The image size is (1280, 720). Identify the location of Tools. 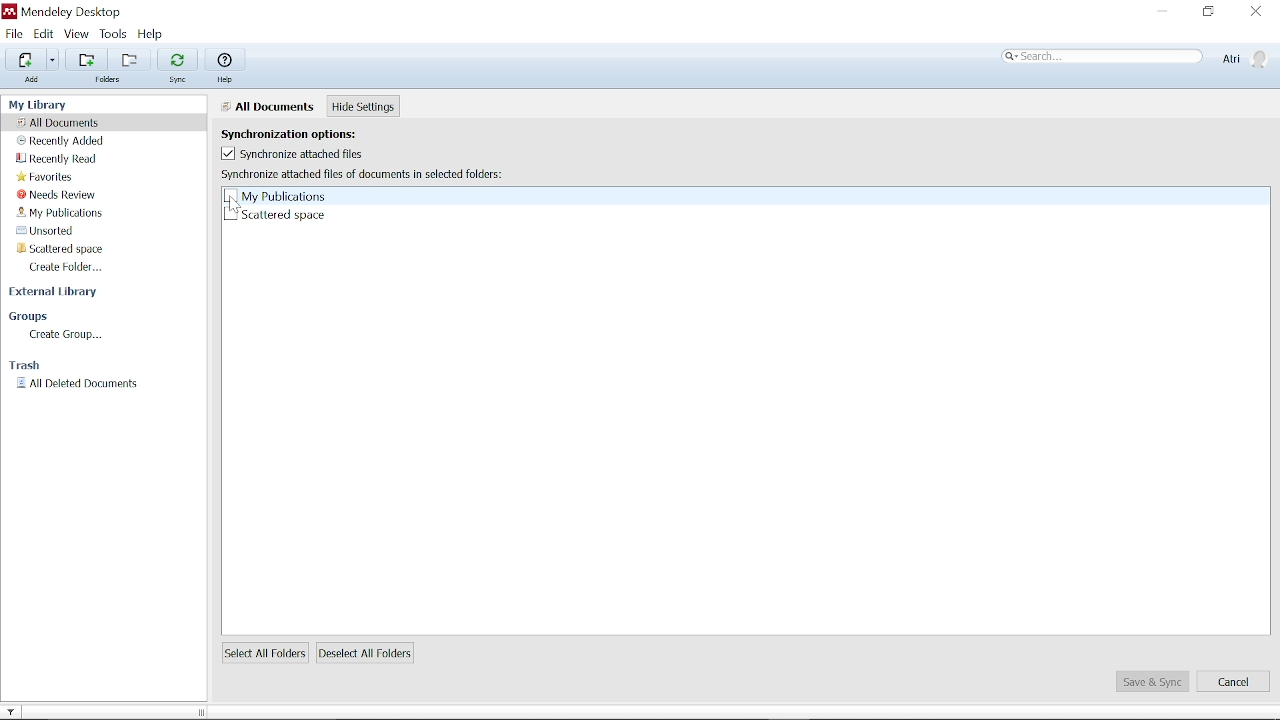
(115, 35).